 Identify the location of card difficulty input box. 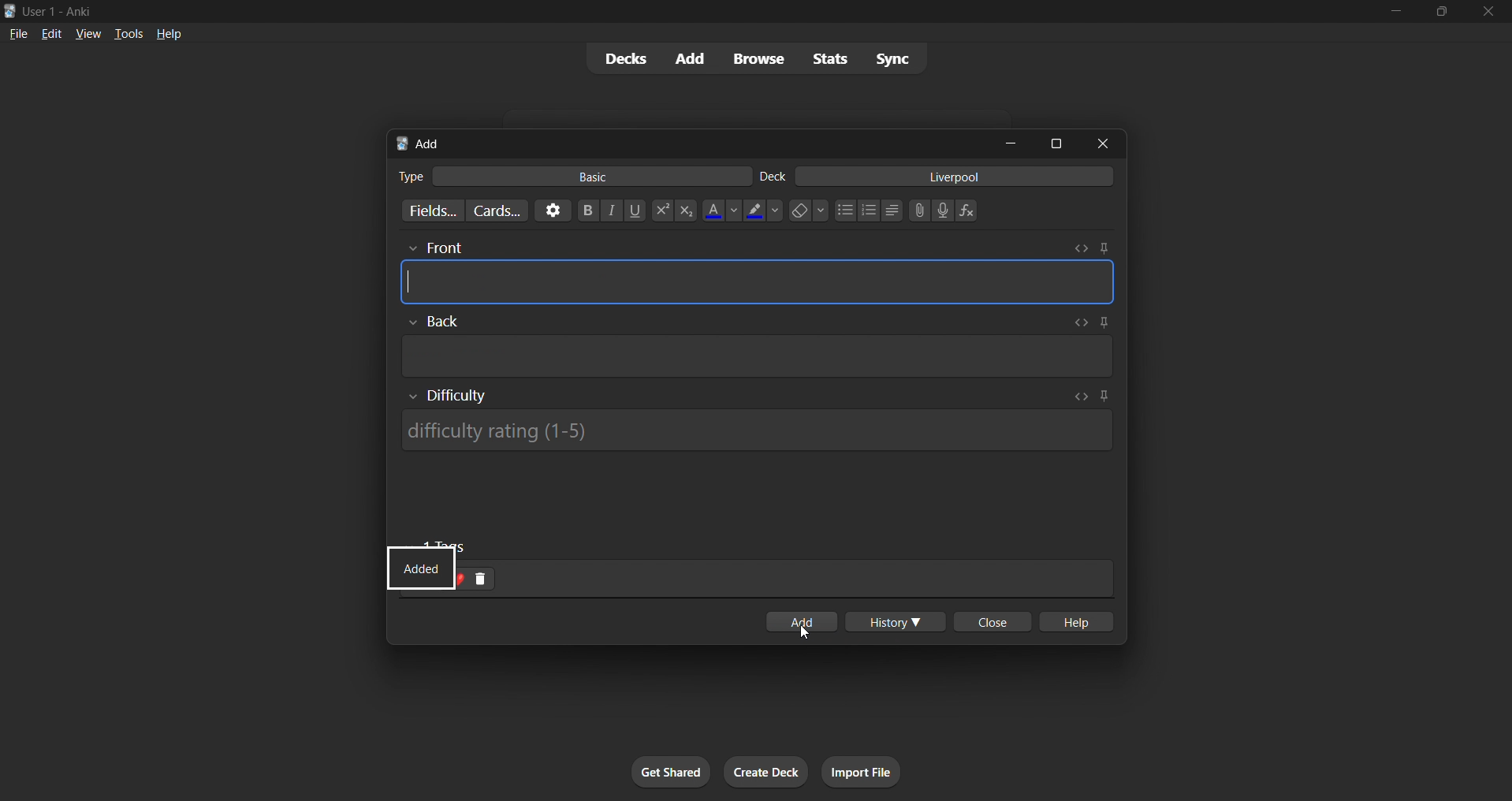
(753, 420).